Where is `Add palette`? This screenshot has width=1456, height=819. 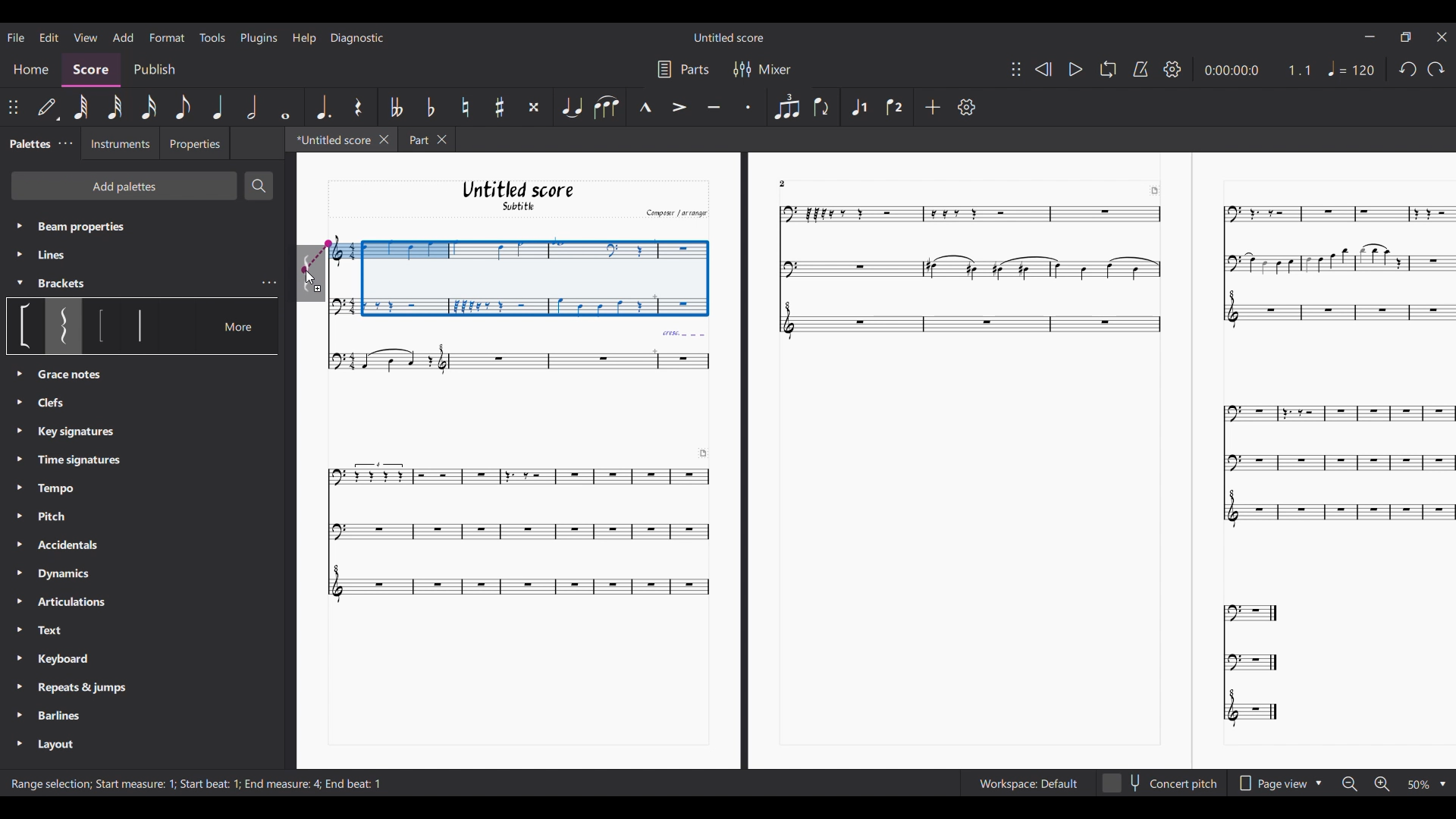
Add palette is located at coordinates (124, 185).